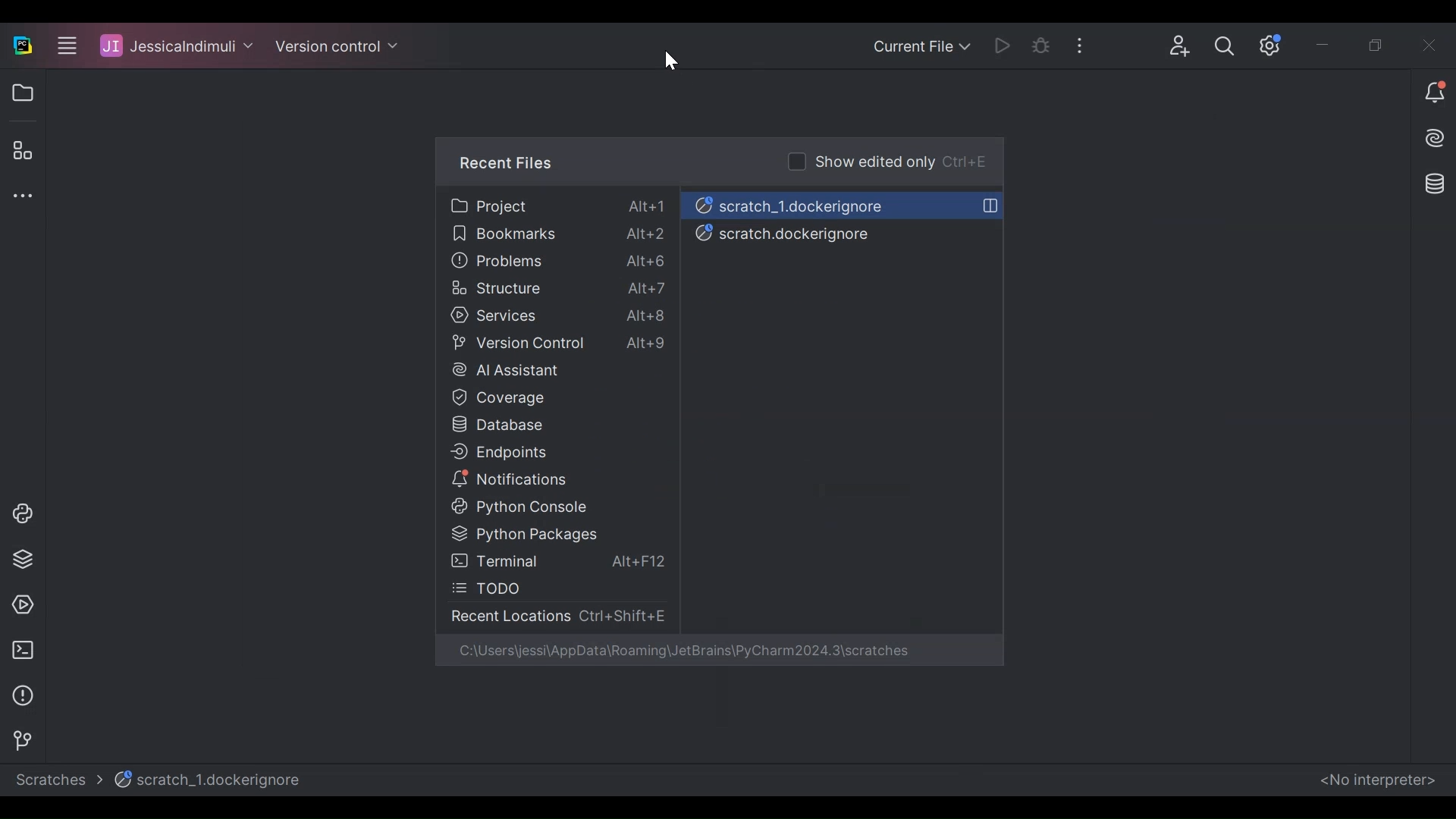 The height and width of the screenshot is (819, 1456). What do you see at coordinates (17, 512) in the screenshot?
I see `Python Console` at bounding box center [17, 512].